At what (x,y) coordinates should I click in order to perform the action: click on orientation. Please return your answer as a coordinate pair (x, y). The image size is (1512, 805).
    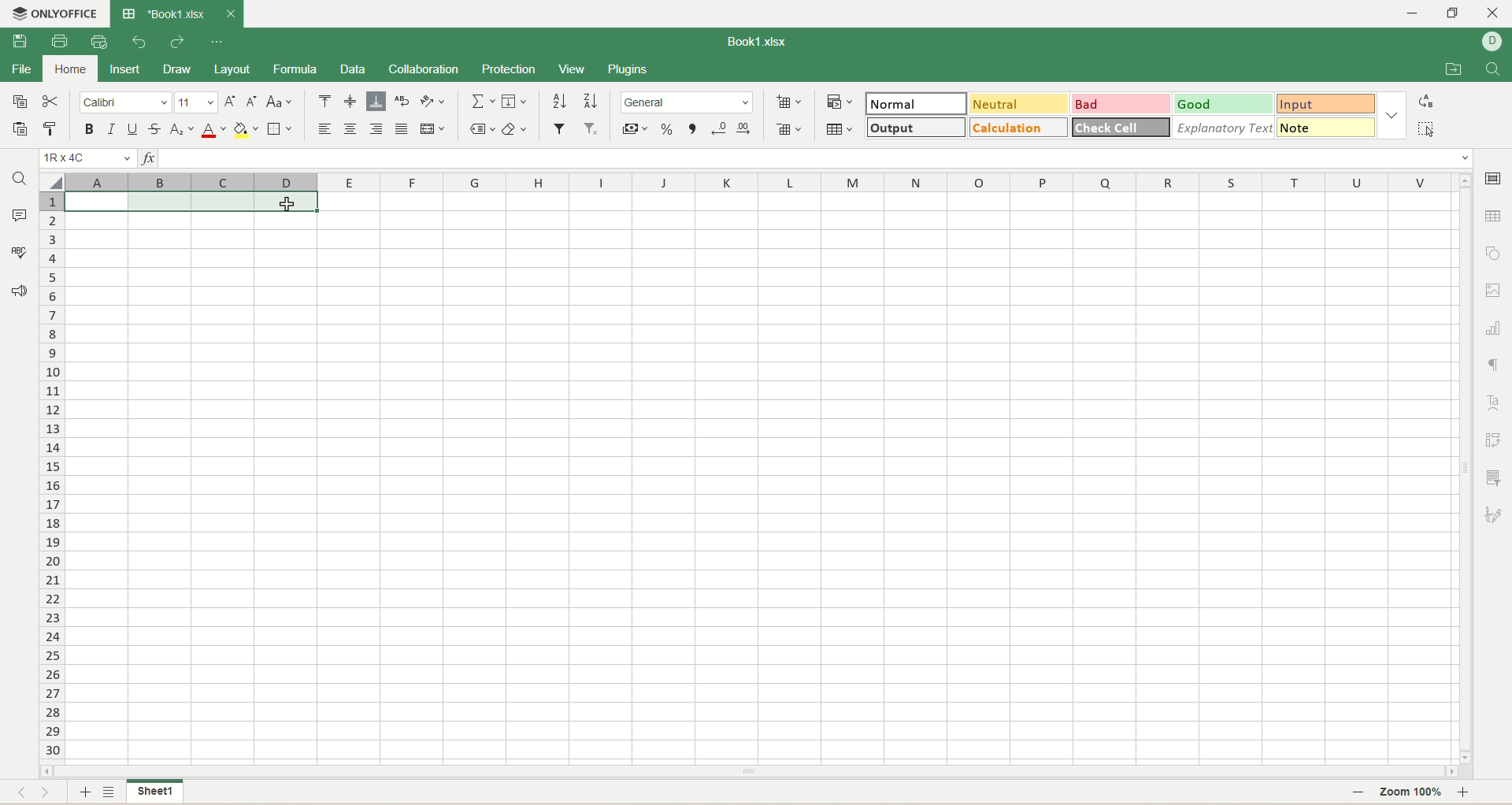
    Looking at the image, I should click on (431, 101).